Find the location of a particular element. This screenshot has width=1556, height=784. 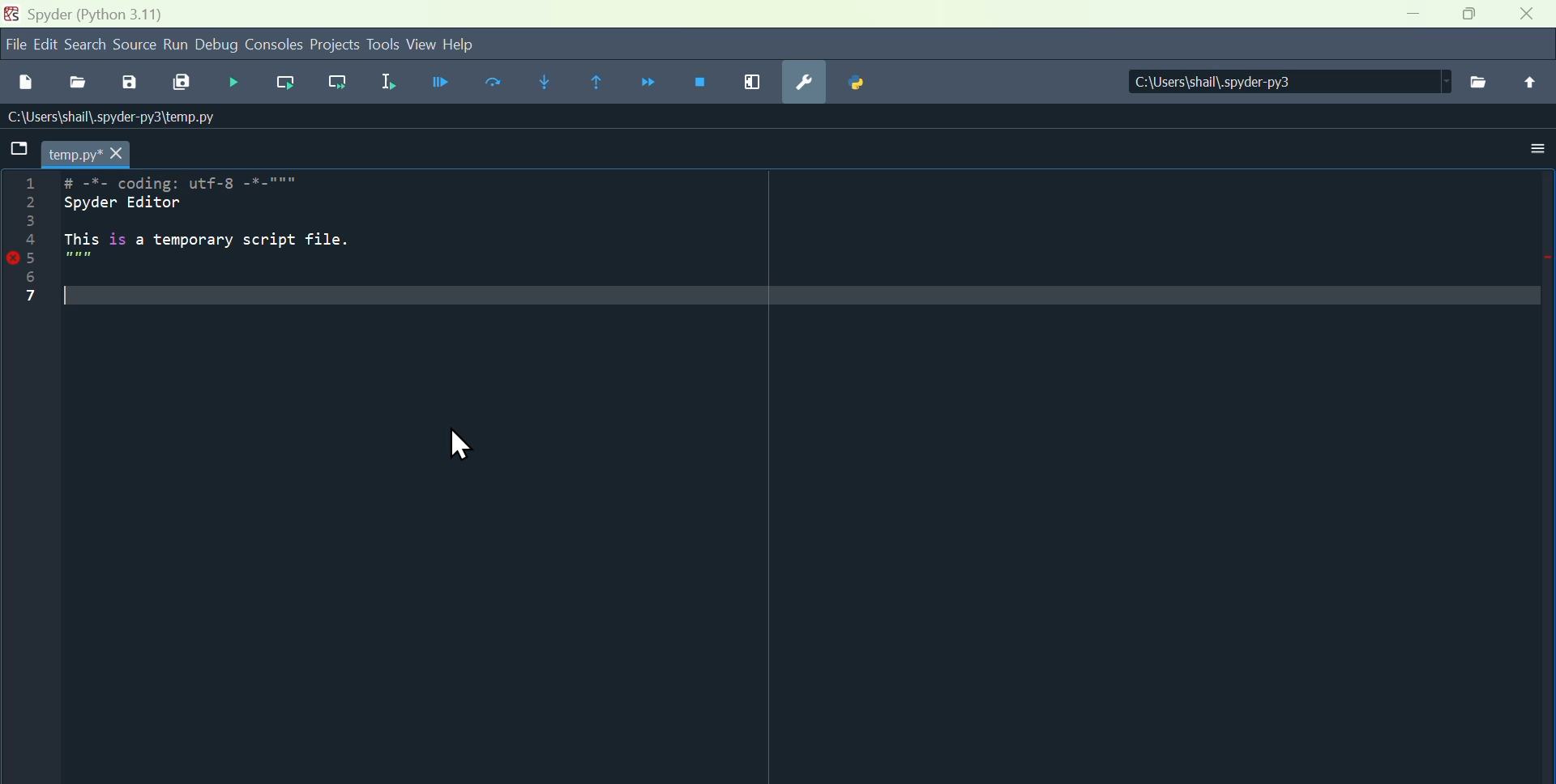

view is located at coordinates (421, 45).